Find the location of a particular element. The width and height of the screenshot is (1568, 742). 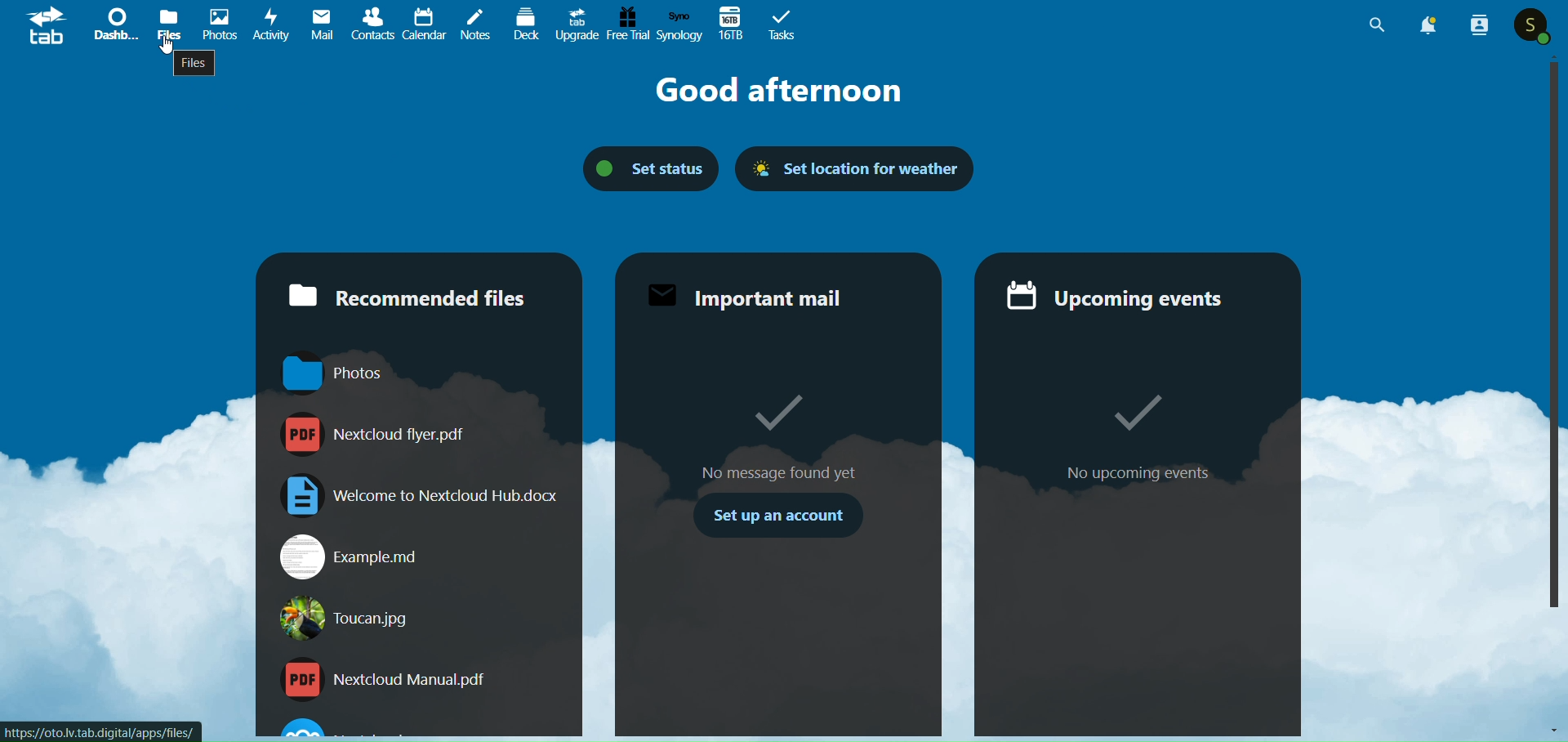

user is located at coordinates (1530, 25).